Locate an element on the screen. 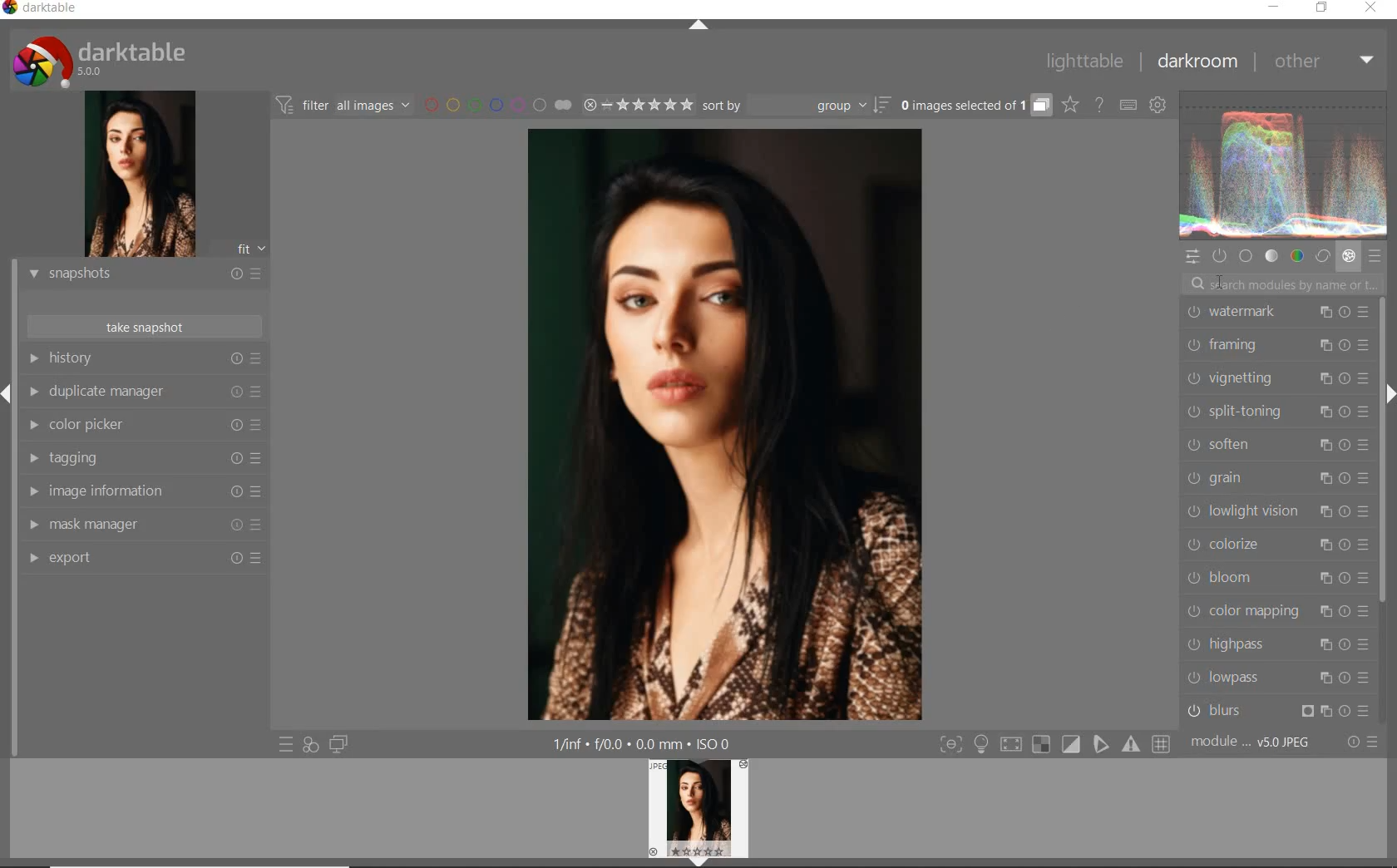 Image resolution: width=1397 pixels, height=868 pixels. Toggle modes is located at coordinates (1054, 744).